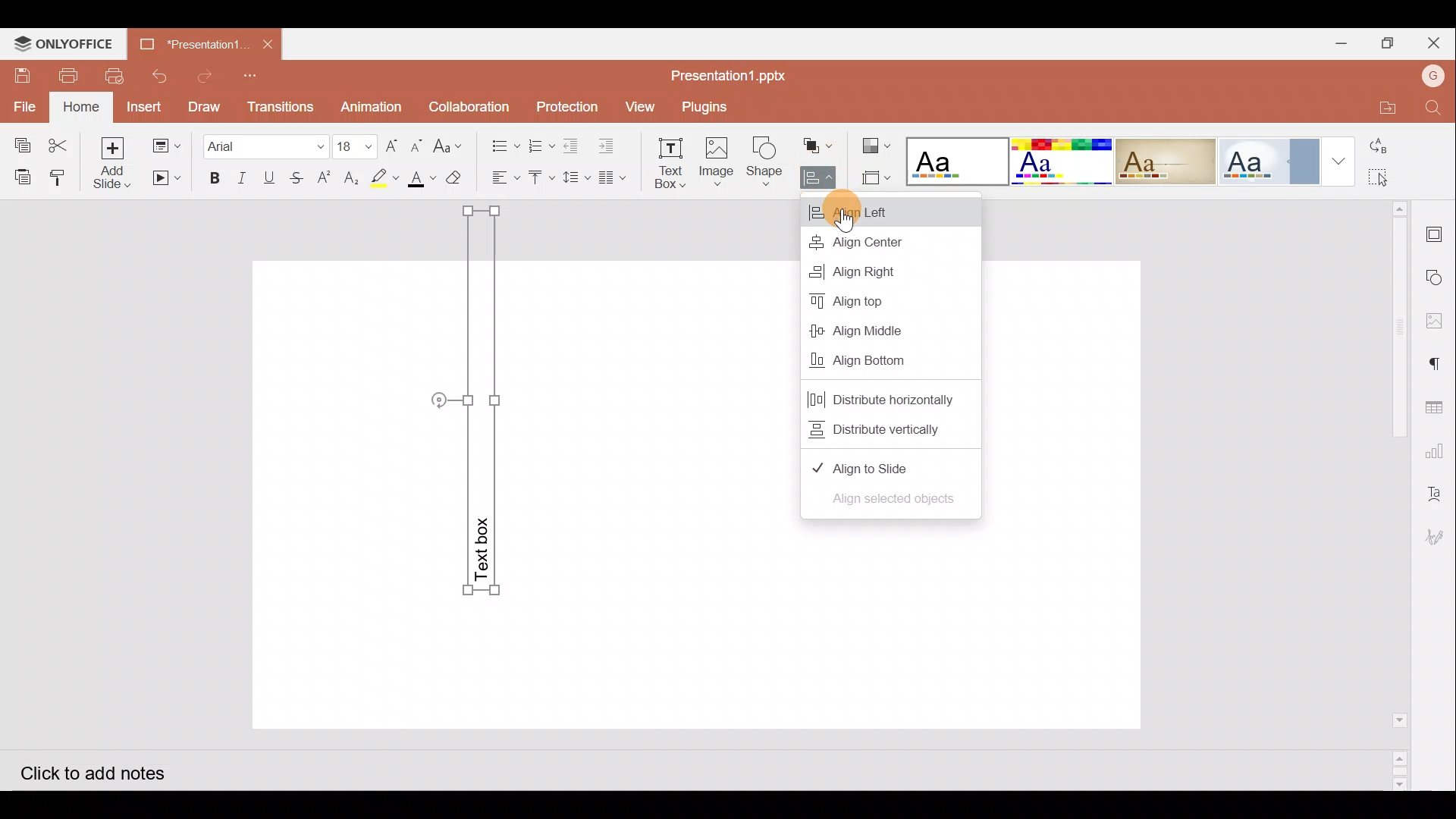  Describe the element at coordinates (1392, 42) in the screenshot. I see `Maximize` at that location.